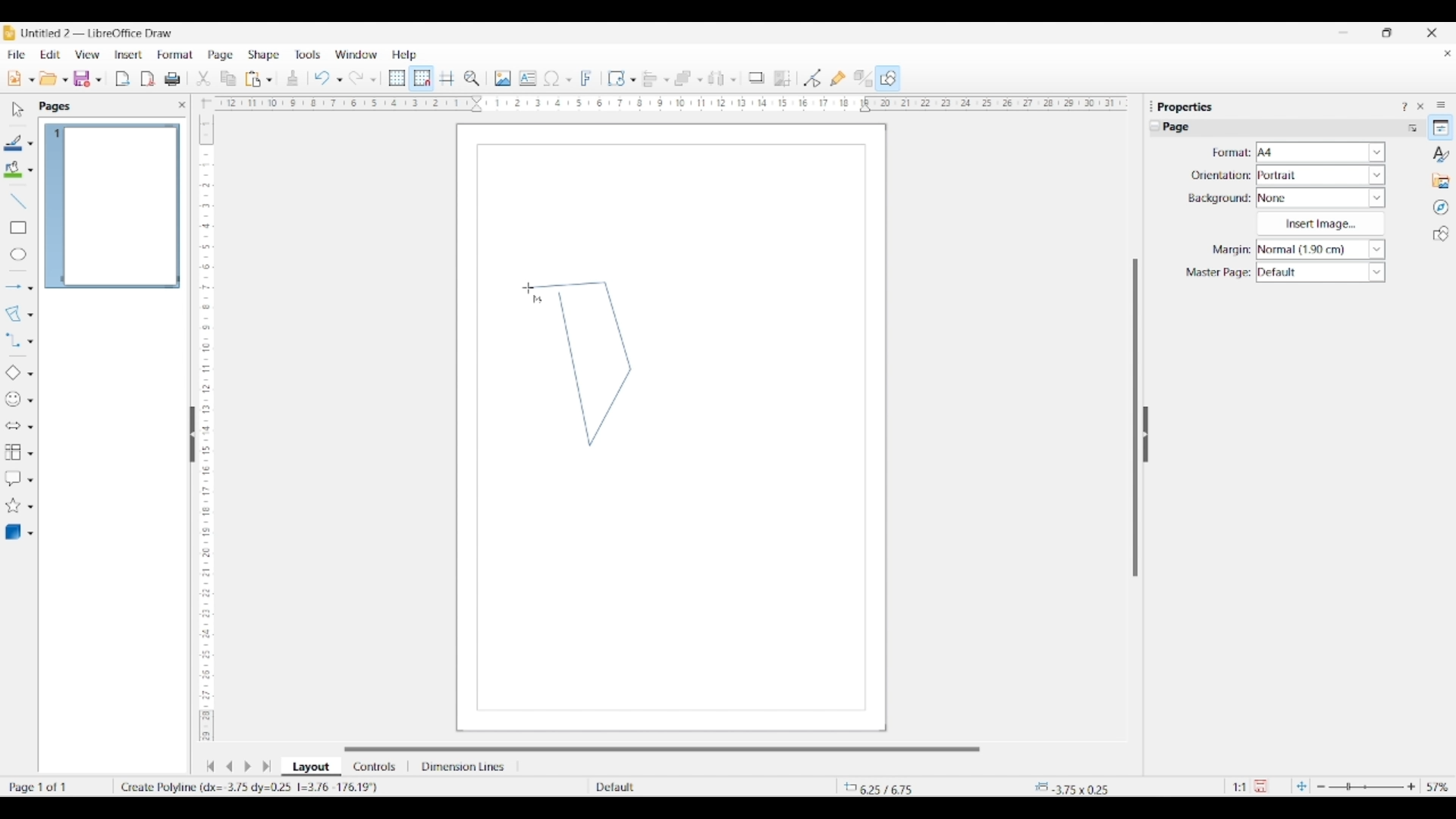 This screenshot has width=1456, height=819. Describe the element at coordinates (64, 80) in the screenshot. I see `Open document options` at that location.